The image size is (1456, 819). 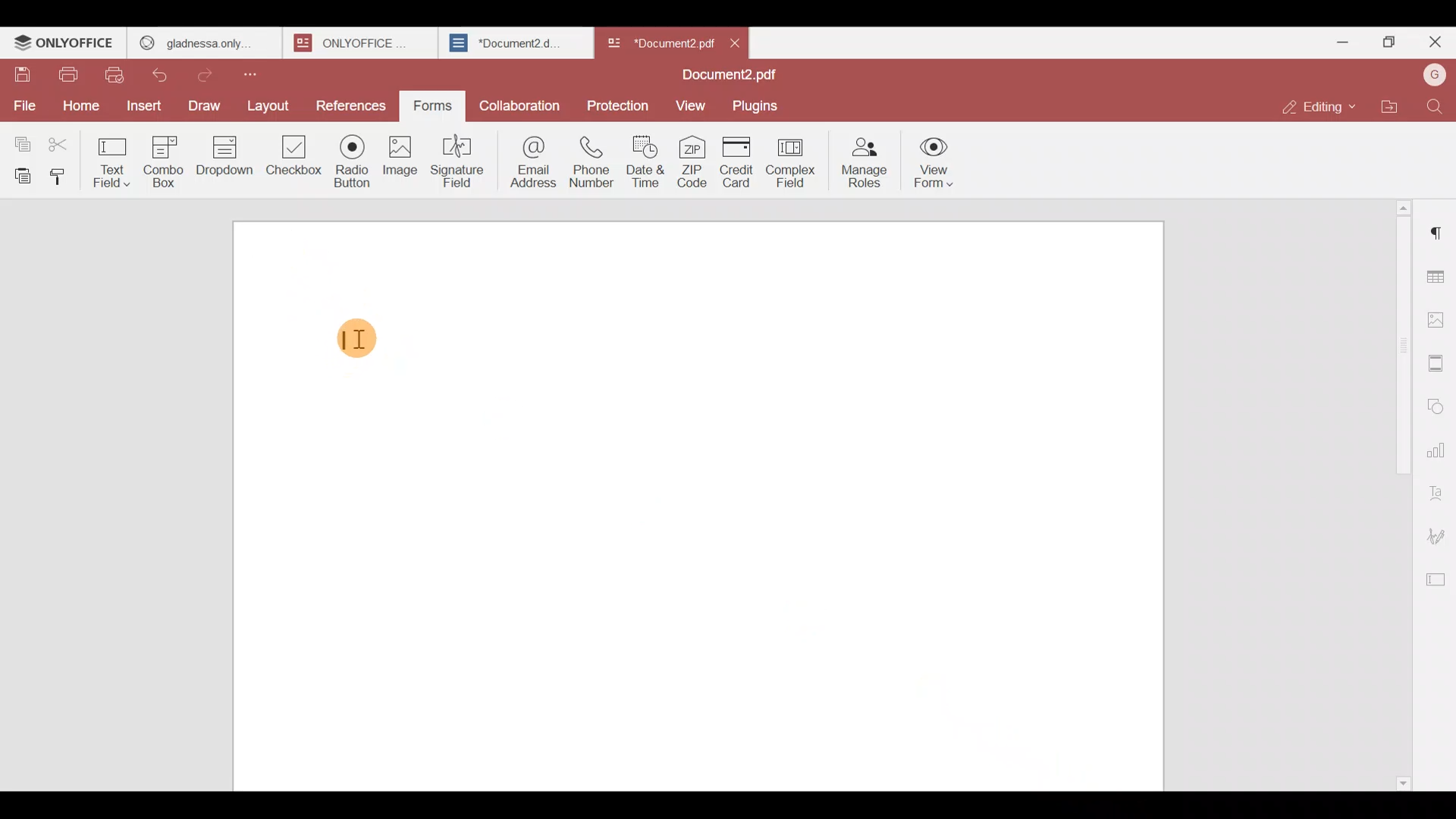 I want to click on Signature settings, so click(x=1438, y=536).